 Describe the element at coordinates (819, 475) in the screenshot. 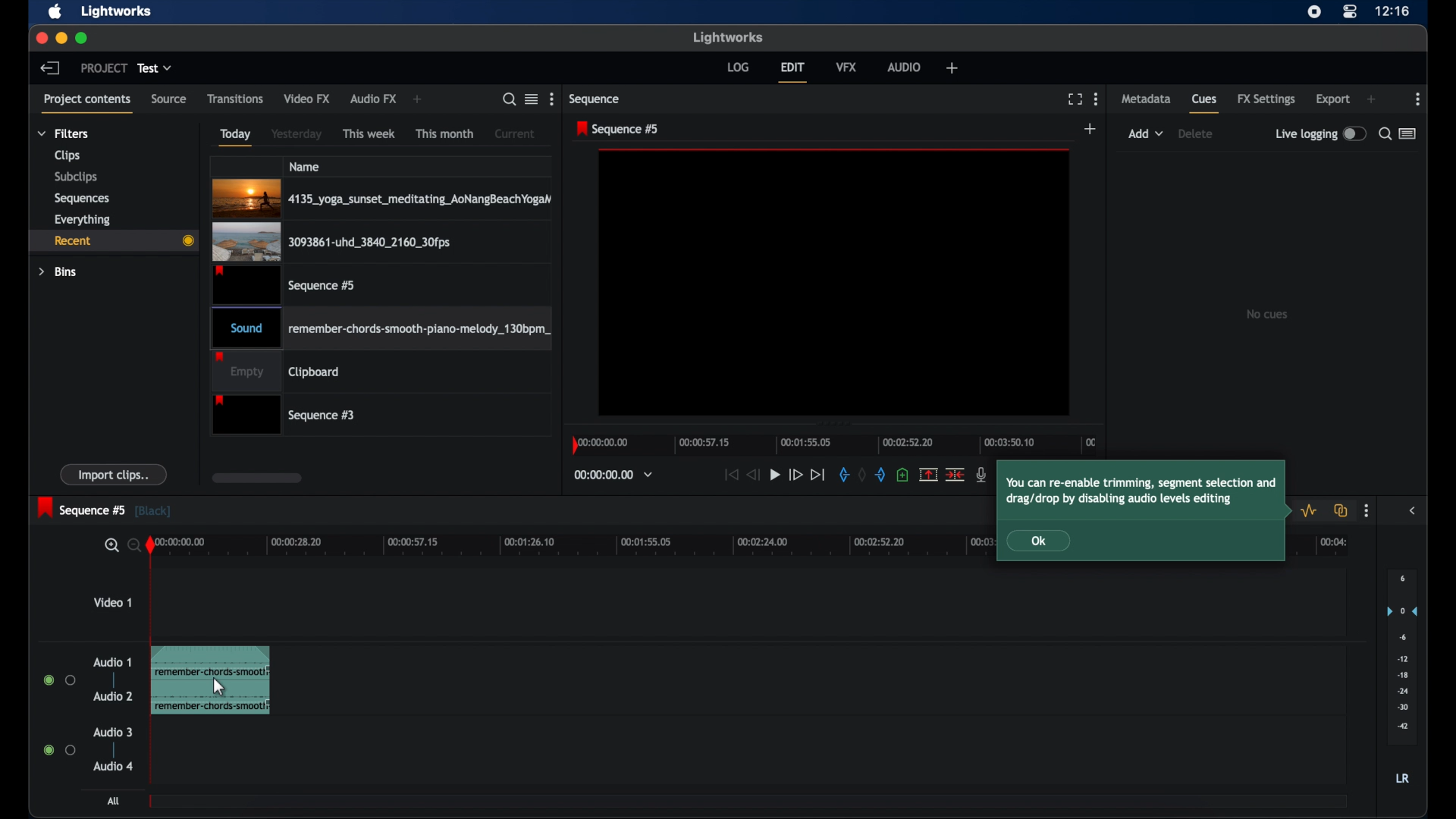

I see `jump to end` at that location.